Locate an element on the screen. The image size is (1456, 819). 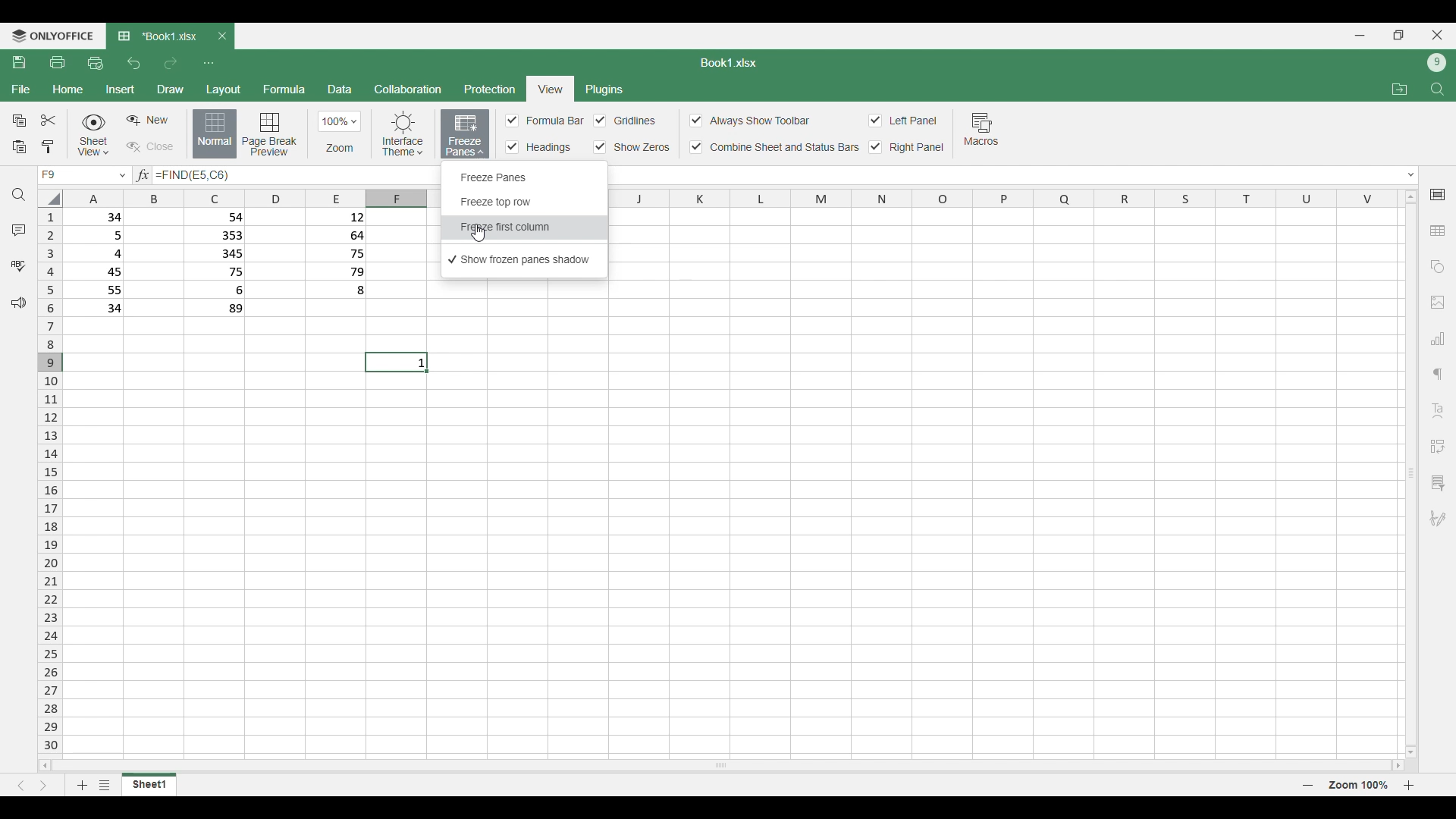
Paste is located at coordinates (19, 147).